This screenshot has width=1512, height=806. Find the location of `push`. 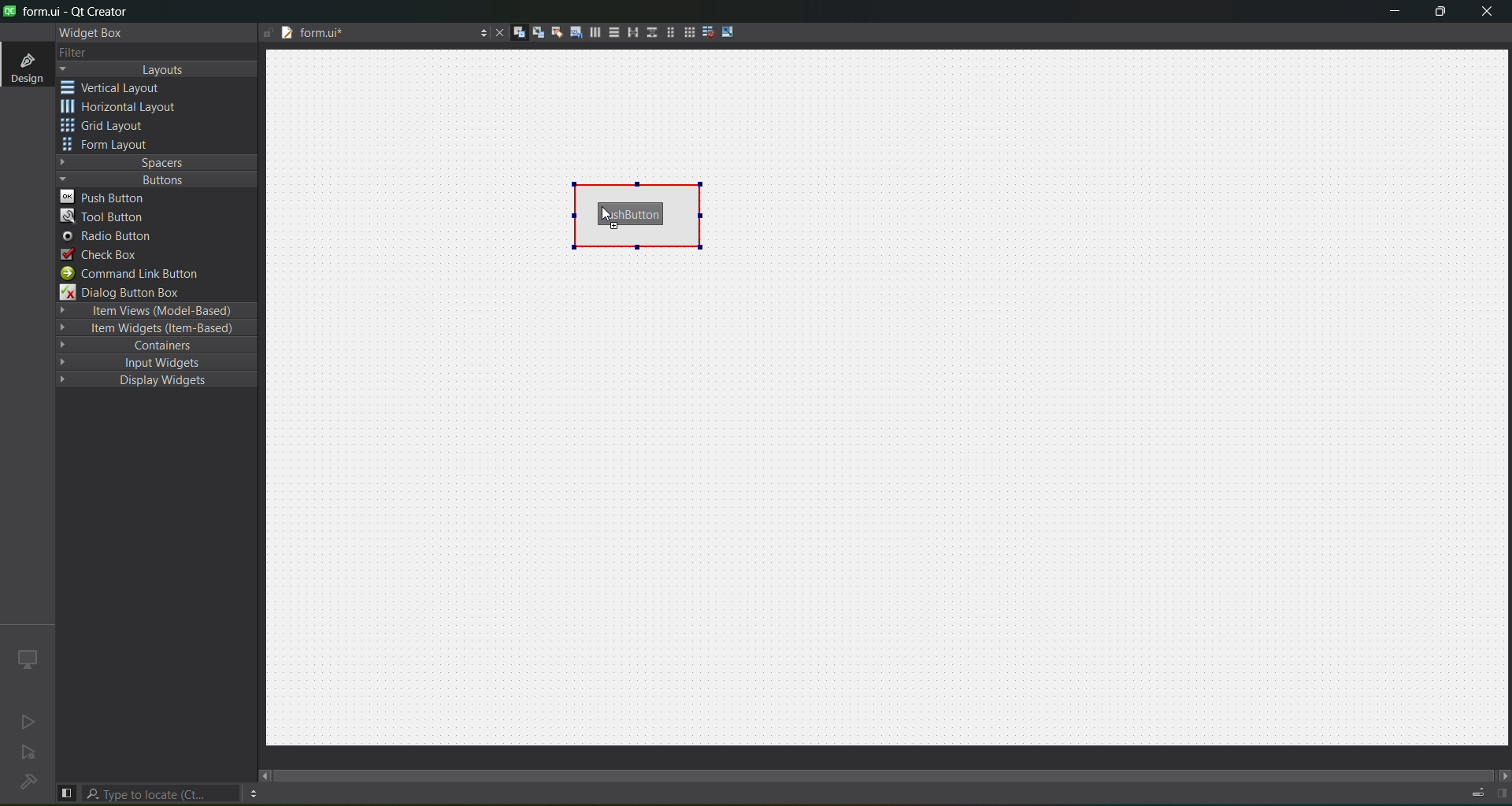

push is located at coordinates (108, 197).